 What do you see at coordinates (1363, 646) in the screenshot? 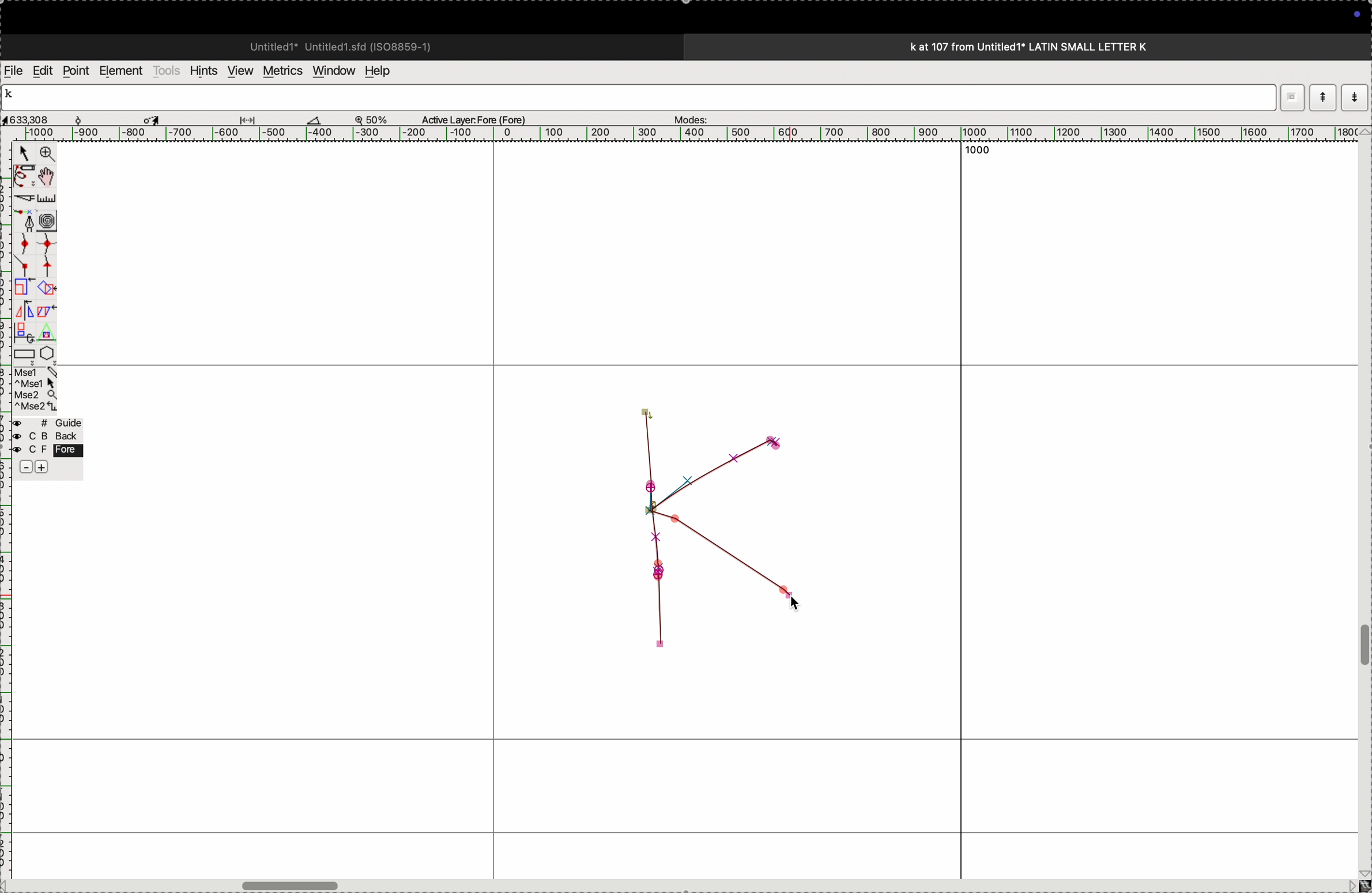
I see `toggle` at bounding box center [1363, 646].